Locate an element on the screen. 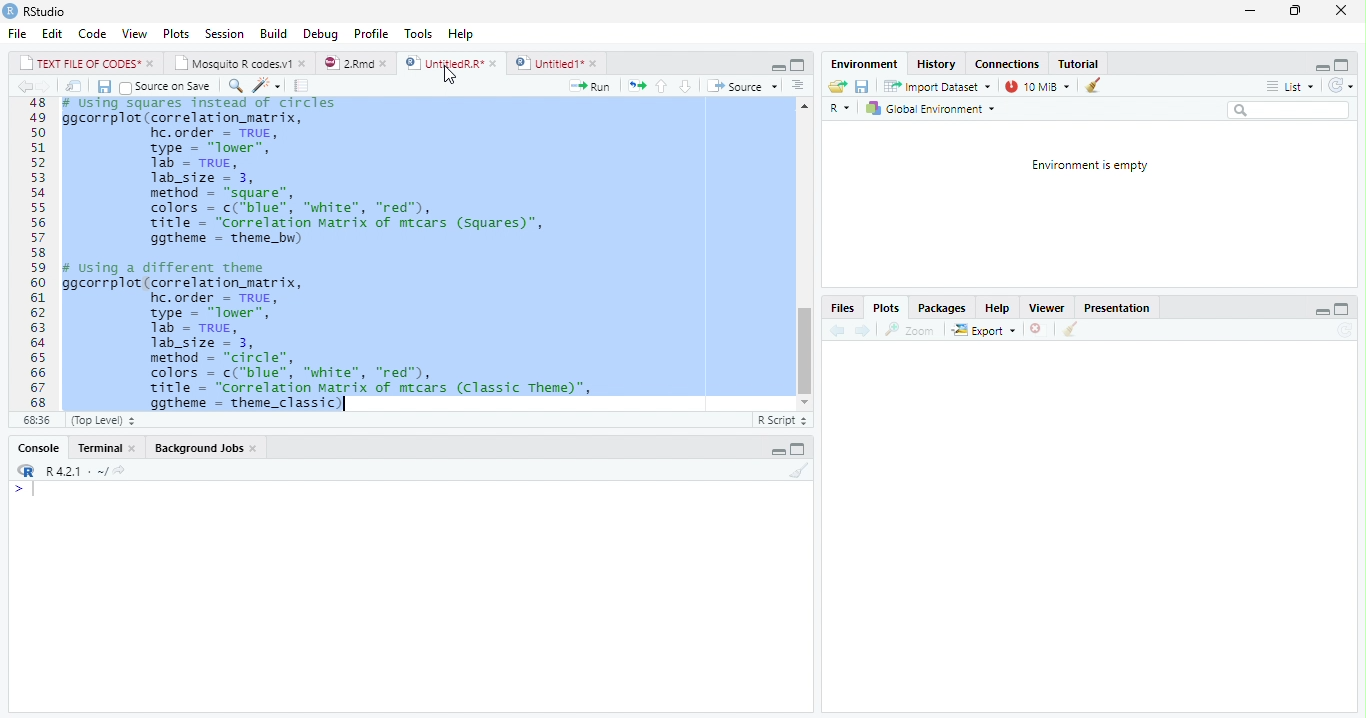 The width and height of the screenshot is (1366, 718). clear console is located at coordinates (800, 471).